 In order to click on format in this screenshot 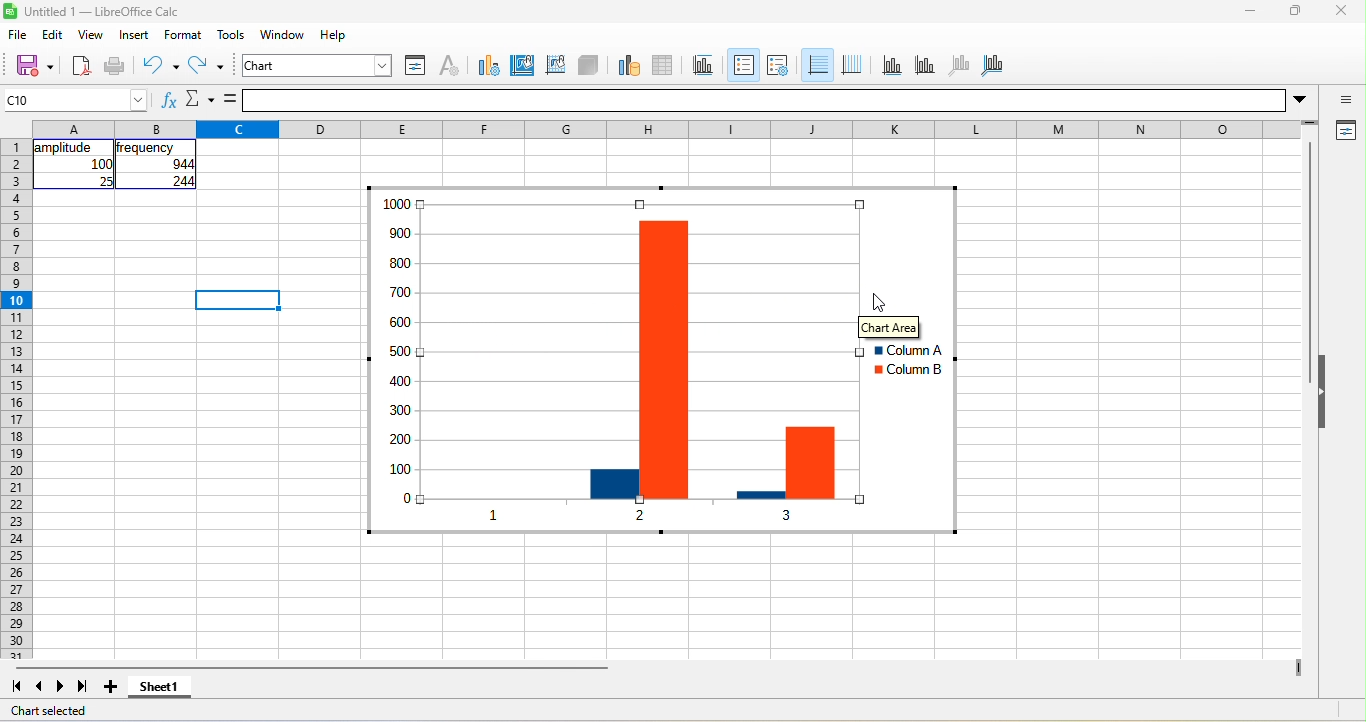, I will do `click(187, 35)`.